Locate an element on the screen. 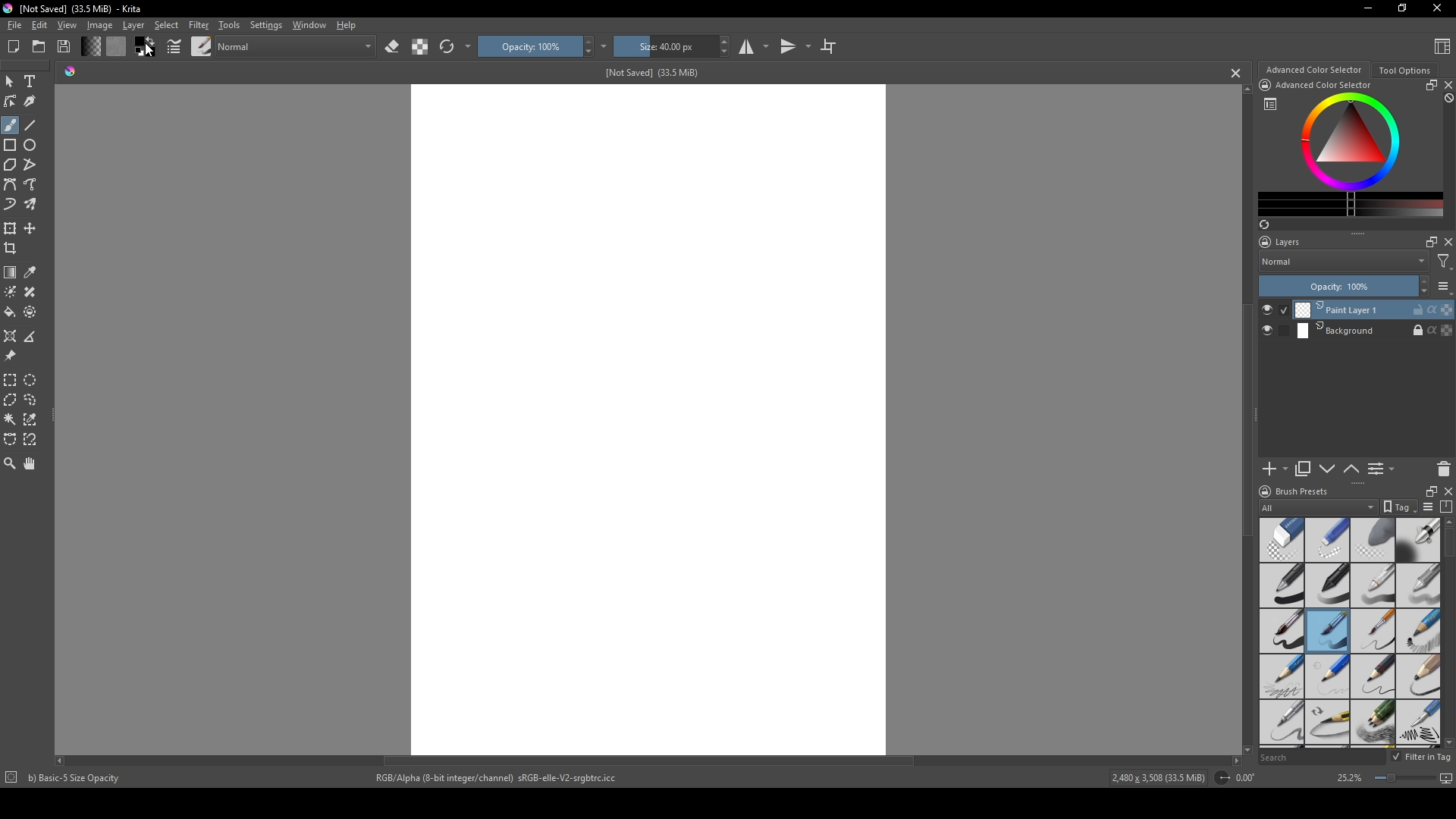 Image resolution: width=1456 pixels, height=819 pixels. resize is located at coordinates (1428, 490).